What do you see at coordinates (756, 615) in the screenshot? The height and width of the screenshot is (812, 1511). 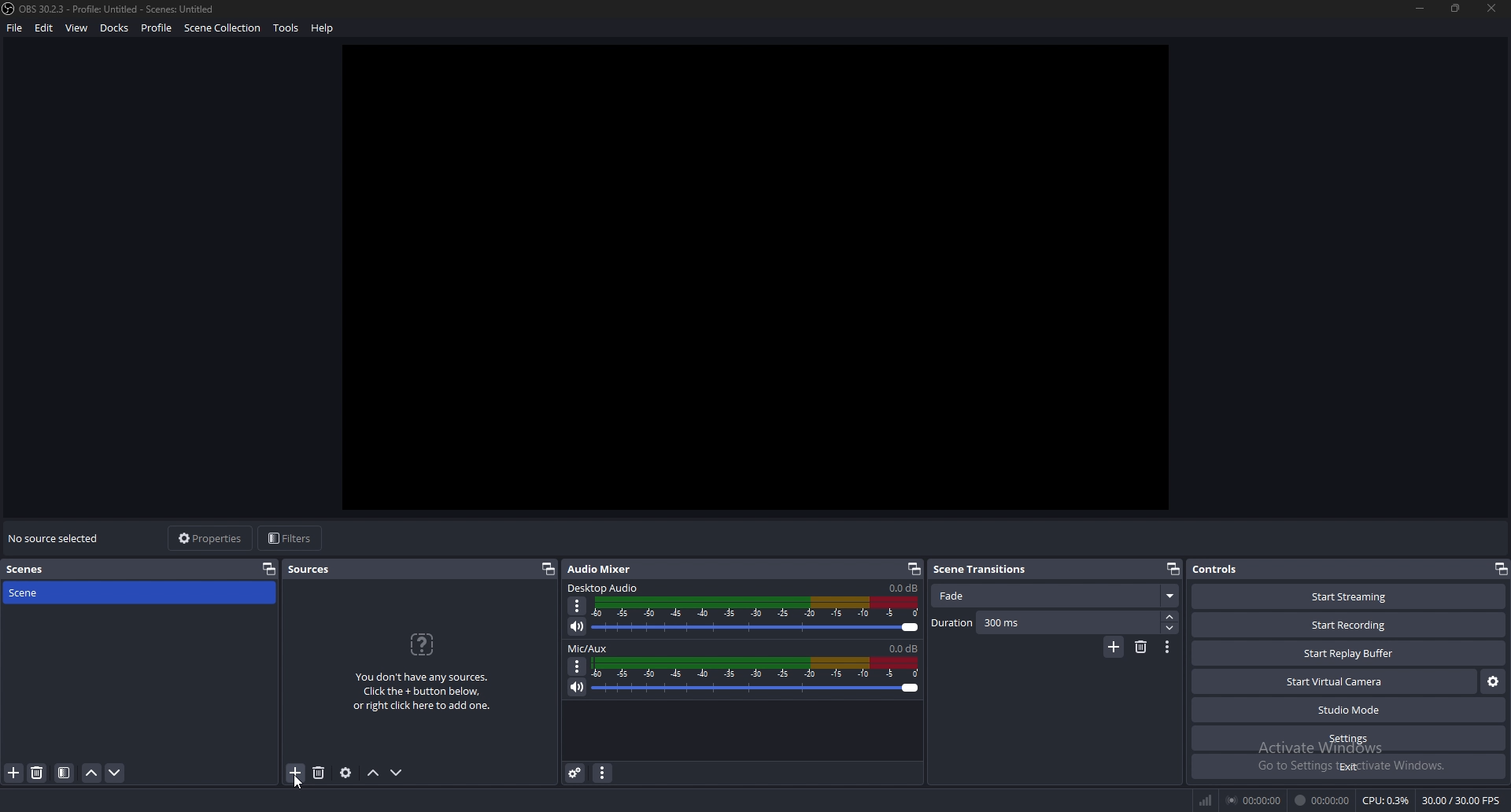 I see `volume adjust` at bounding box center [756, 615].